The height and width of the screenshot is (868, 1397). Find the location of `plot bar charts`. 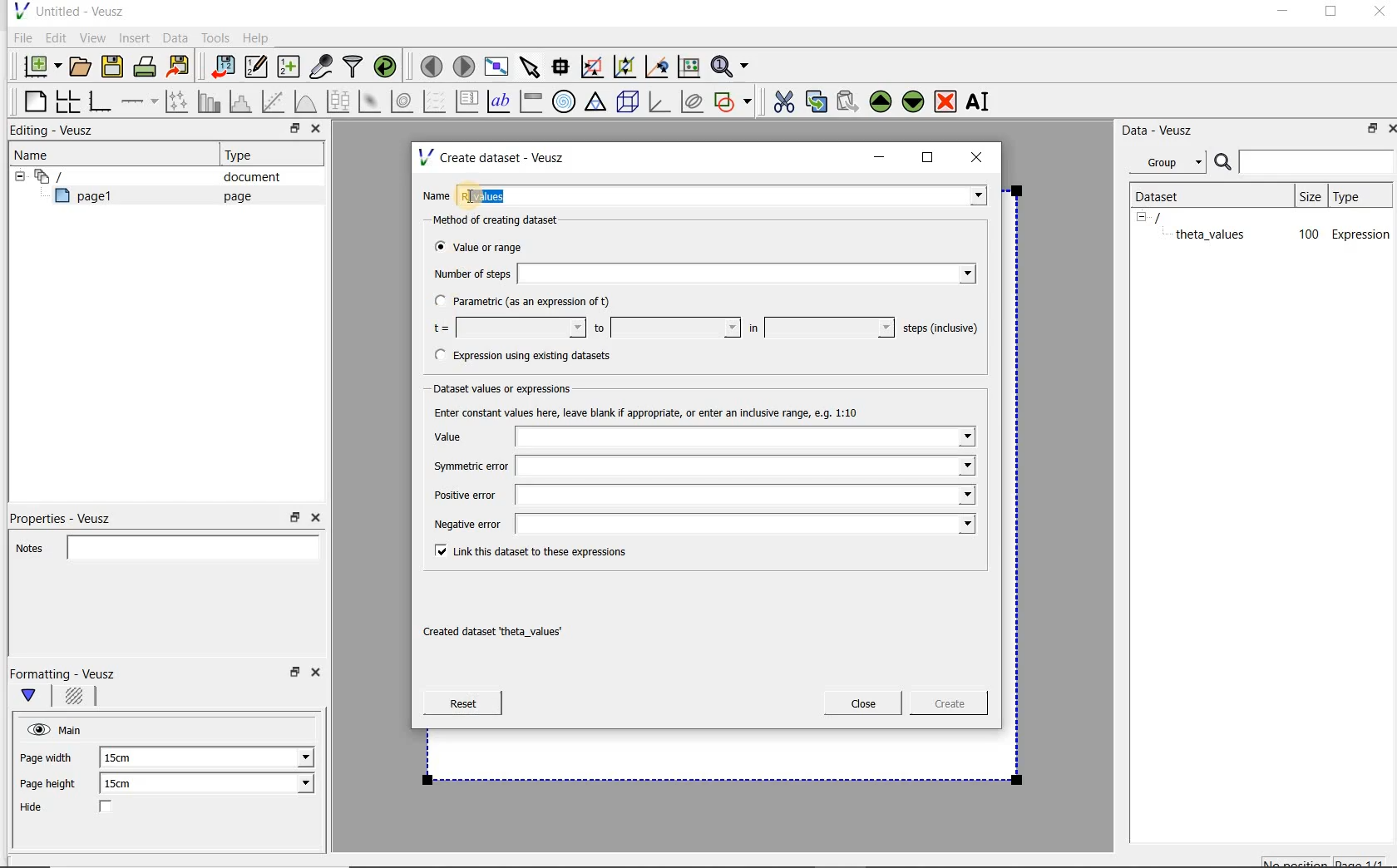

plot bar charts is located at coordinates (210, 101).